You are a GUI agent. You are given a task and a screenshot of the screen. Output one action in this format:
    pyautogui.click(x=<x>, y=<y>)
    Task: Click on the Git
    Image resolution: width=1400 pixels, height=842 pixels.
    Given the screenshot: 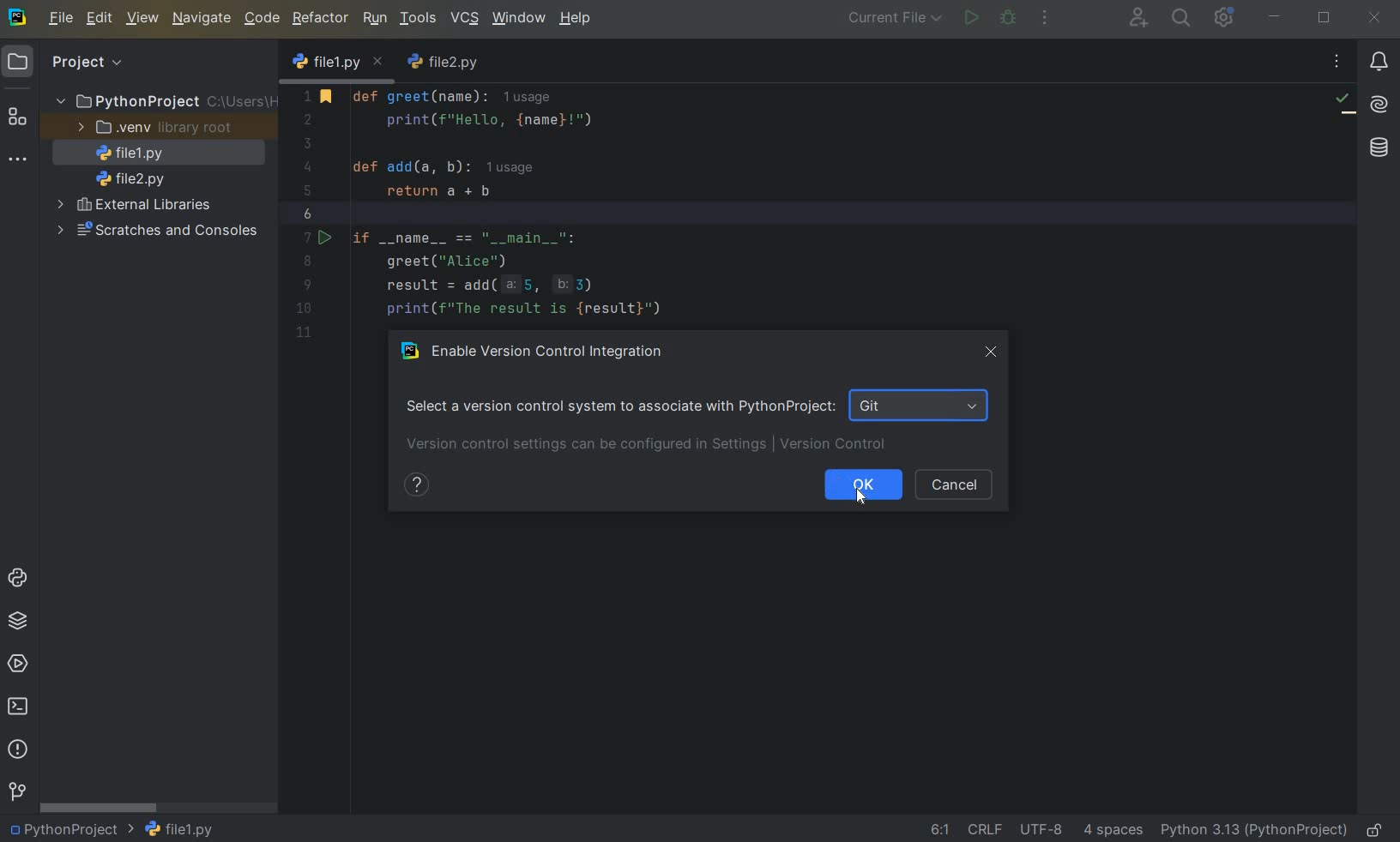 What is the action you would take?
    pyautogui.click(x=920, y=405)
    